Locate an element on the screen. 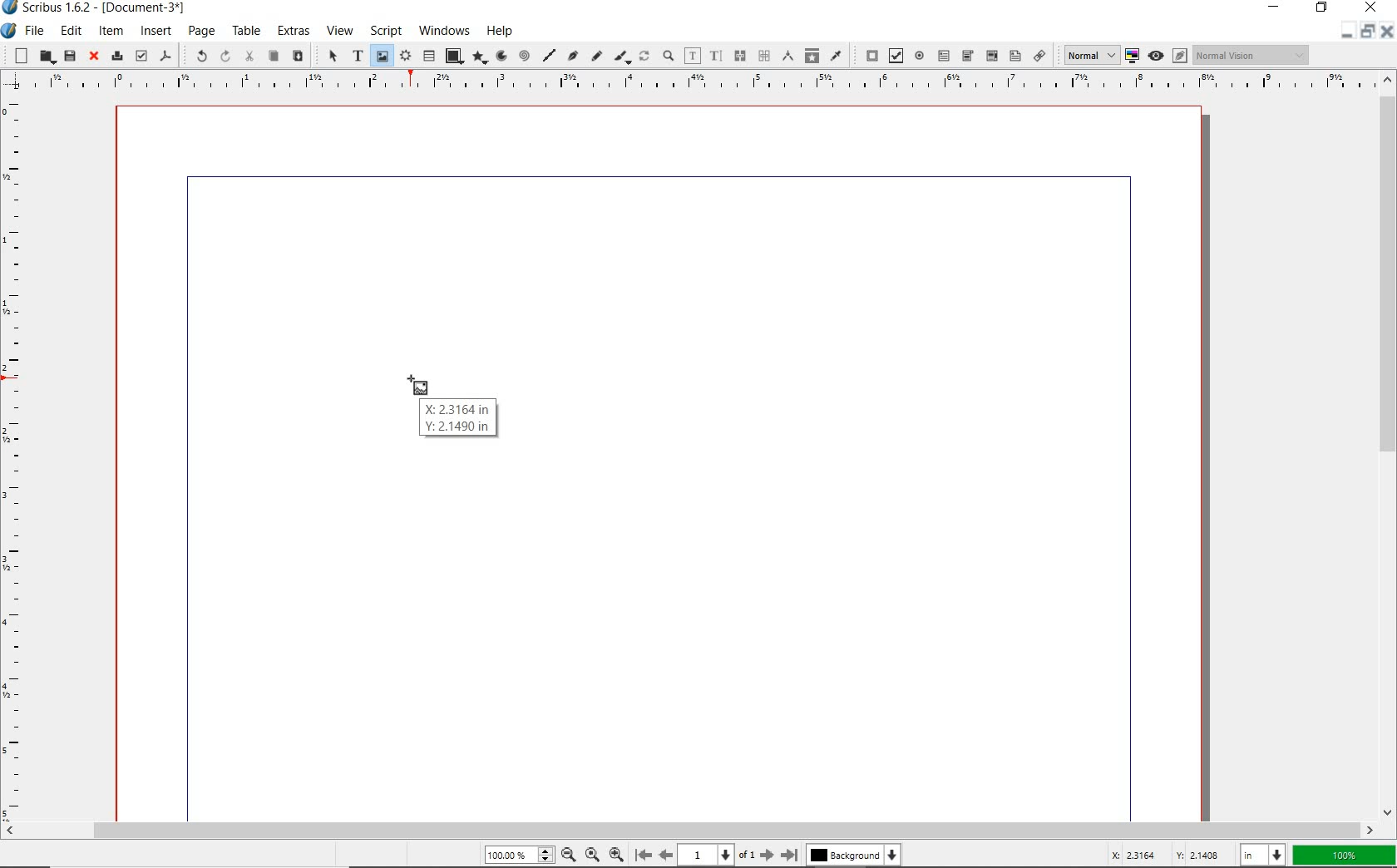 The image size is (1397, 868). ITEM is located at coordinates (111, 30).